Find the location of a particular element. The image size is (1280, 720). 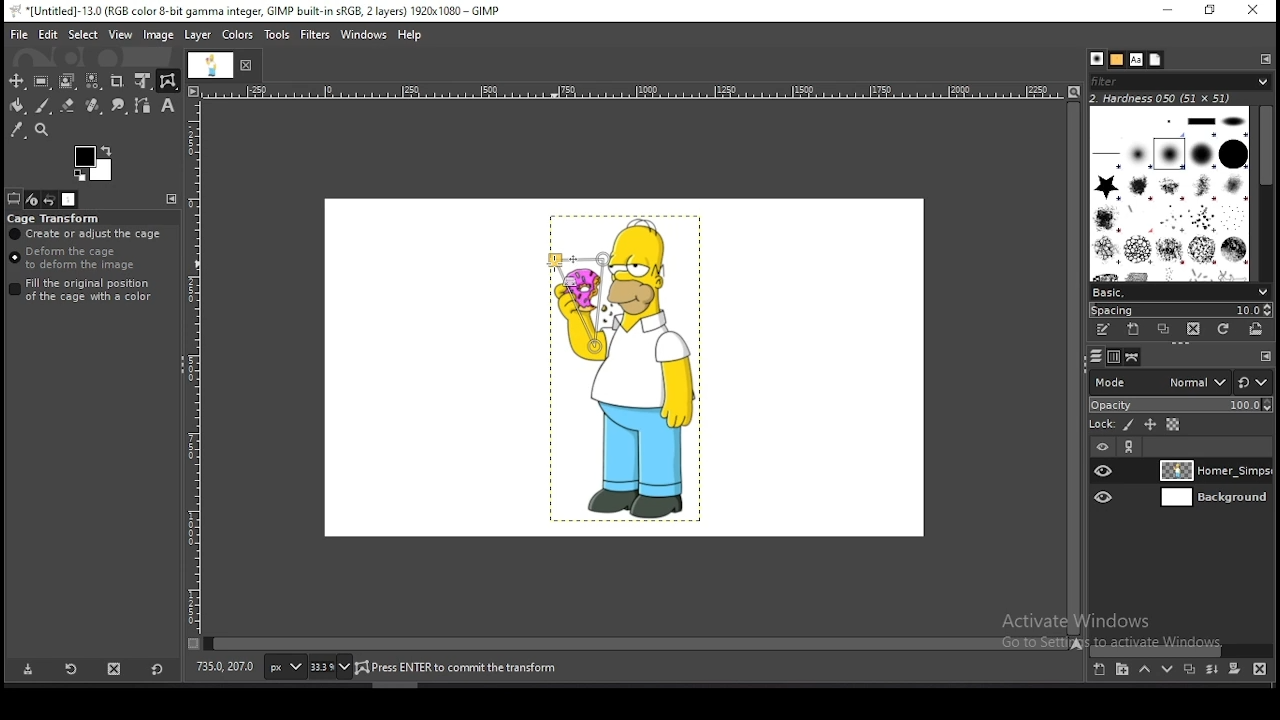

select is located at coordinates (83, 34).